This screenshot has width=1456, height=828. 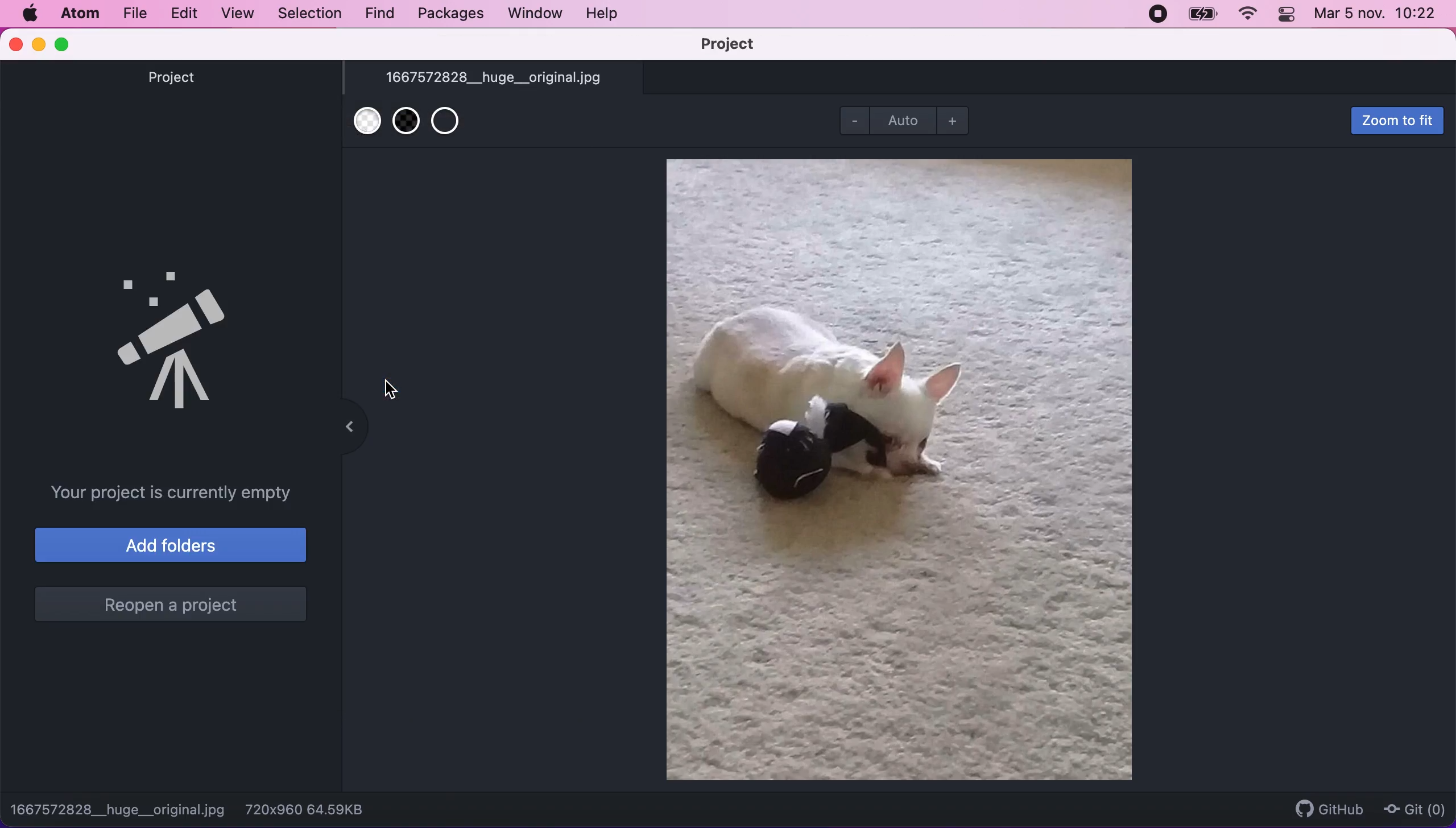 What do you see at coordinates (853, 123) in the screenshot?
I see `zoom out` at bounding box center [853, 123].